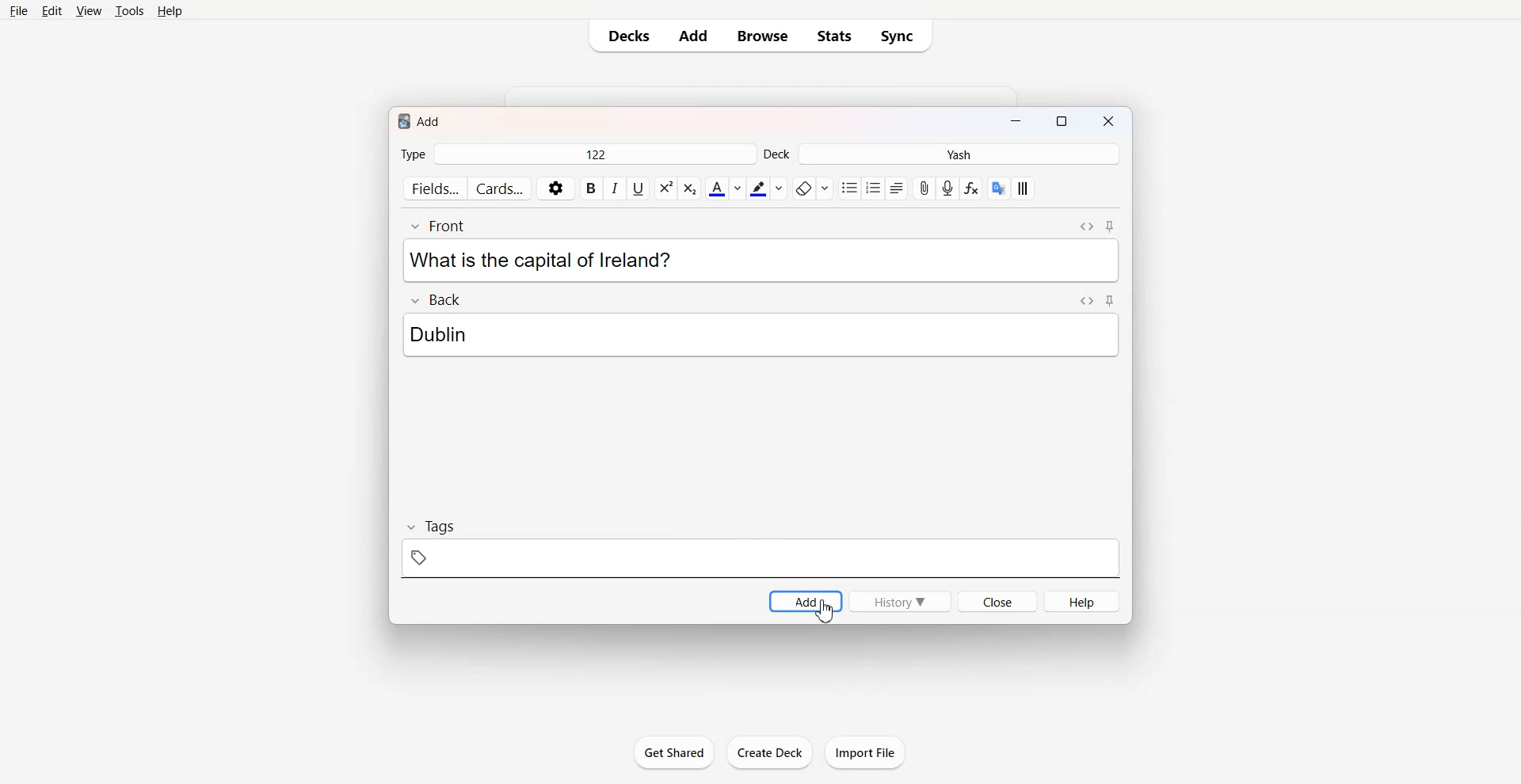 The height and width of the screenshot is (784, 1521). What do you see at coordinates (812, 188) in the screenshot?
I see `Remove Format` at bounding box center [812, 188].